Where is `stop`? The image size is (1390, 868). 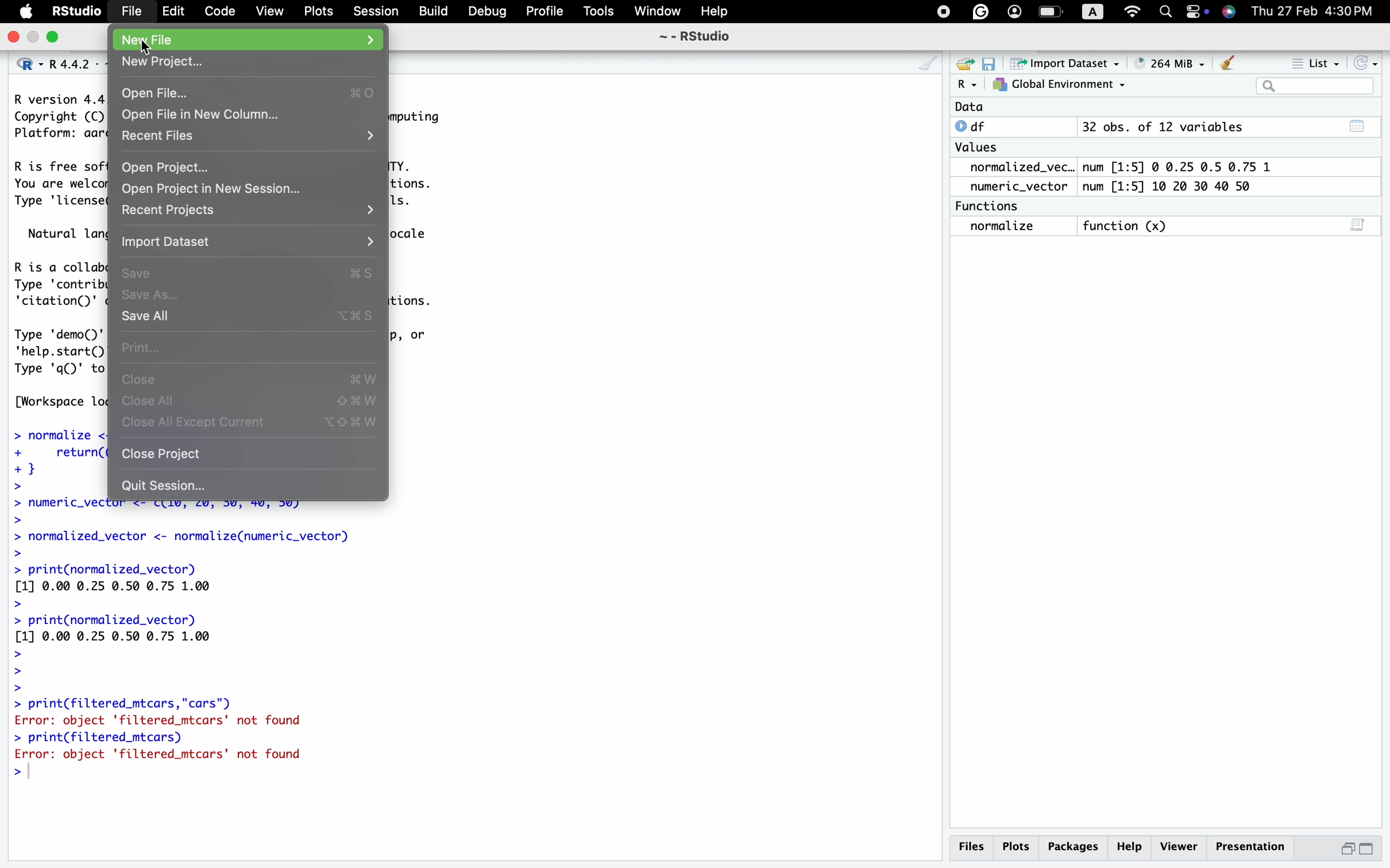
stop is located at coordinates (941, 12).